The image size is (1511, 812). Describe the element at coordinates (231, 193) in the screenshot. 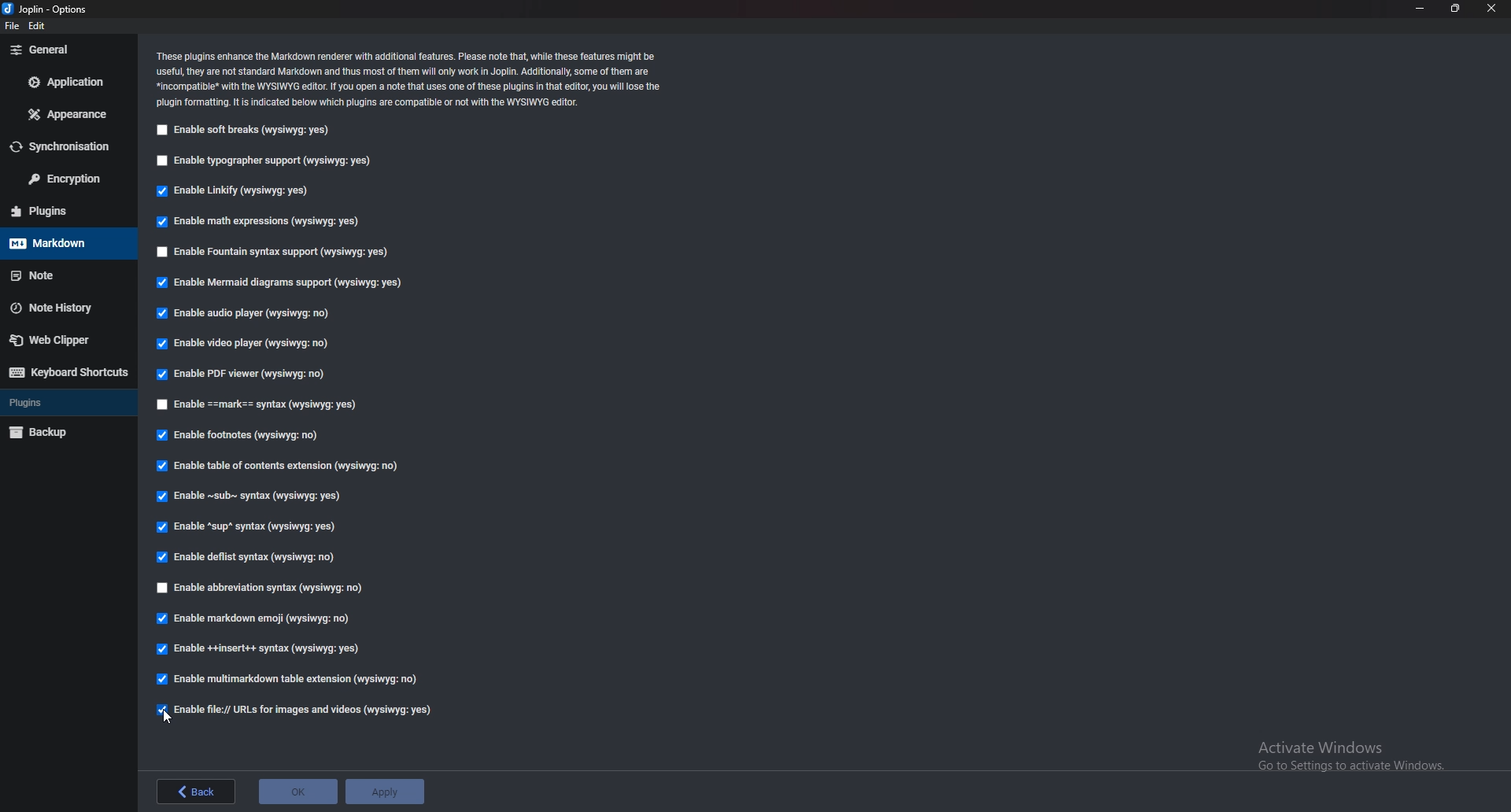

I see `Enable linkify (wysiwyg:yes)` at that location.